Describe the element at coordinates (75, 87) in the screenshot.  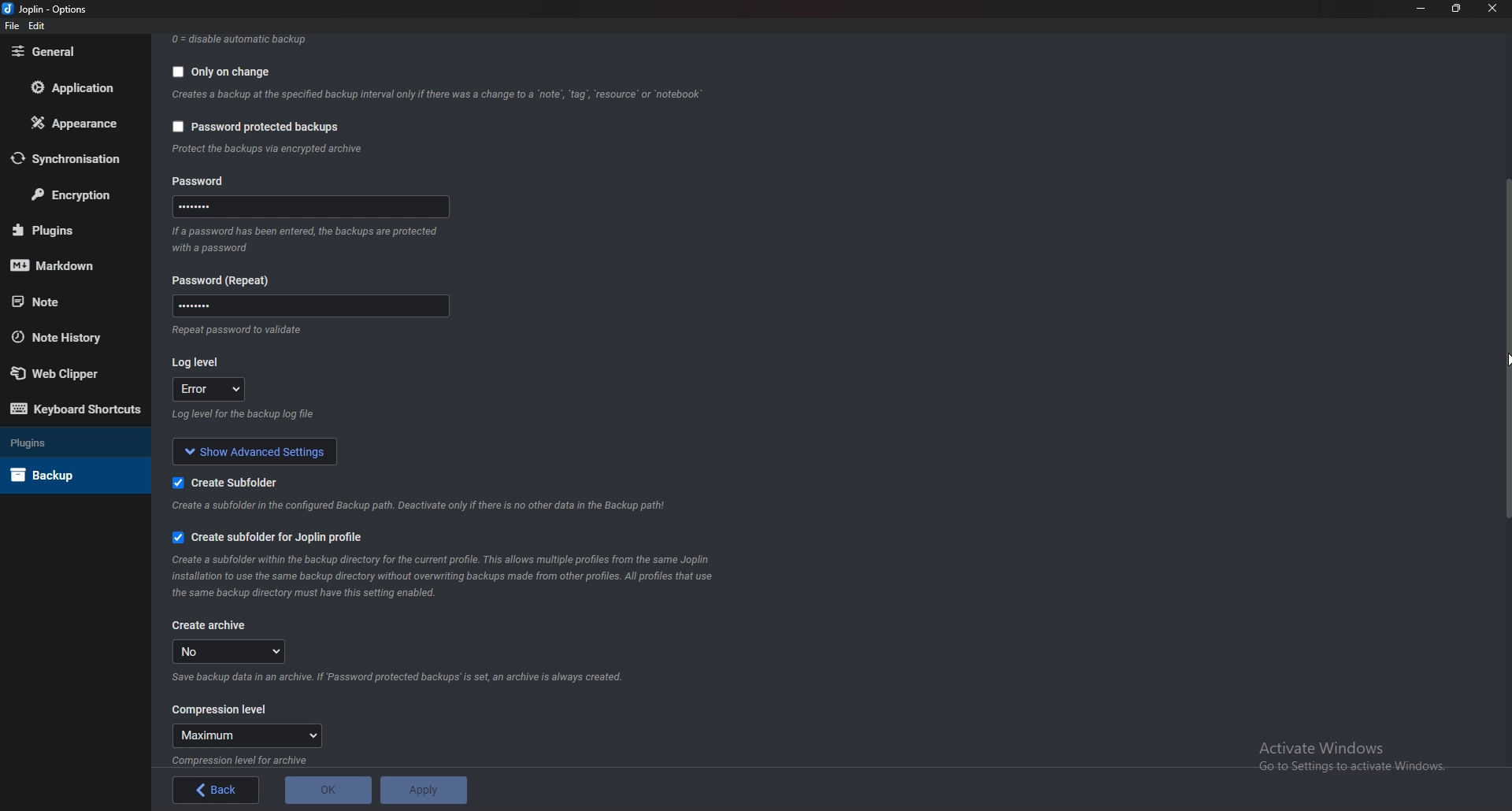
I see `Application` at that location.